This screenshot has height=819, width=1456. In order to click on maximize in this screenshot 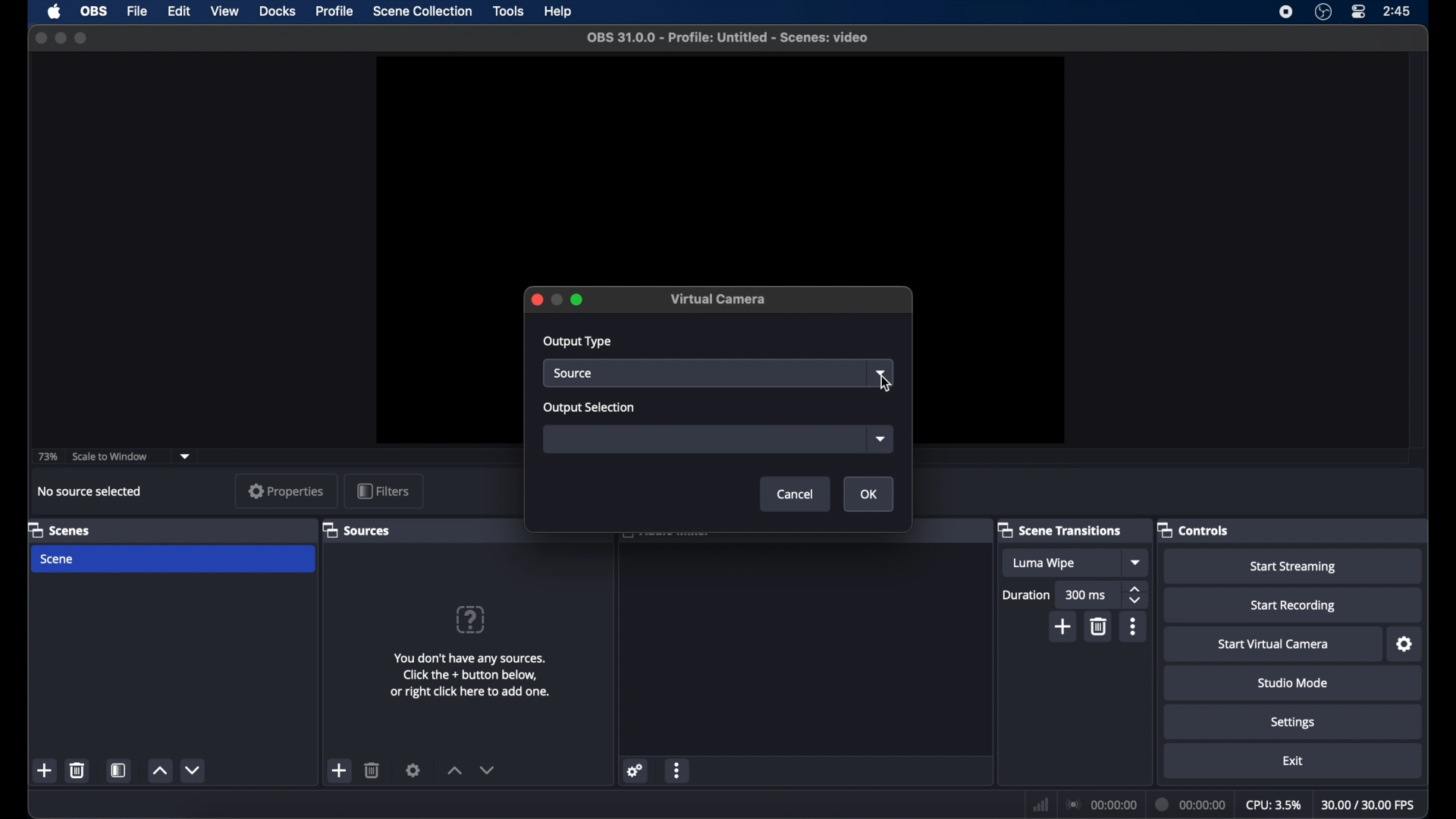, I will do `click(83, 38)`.